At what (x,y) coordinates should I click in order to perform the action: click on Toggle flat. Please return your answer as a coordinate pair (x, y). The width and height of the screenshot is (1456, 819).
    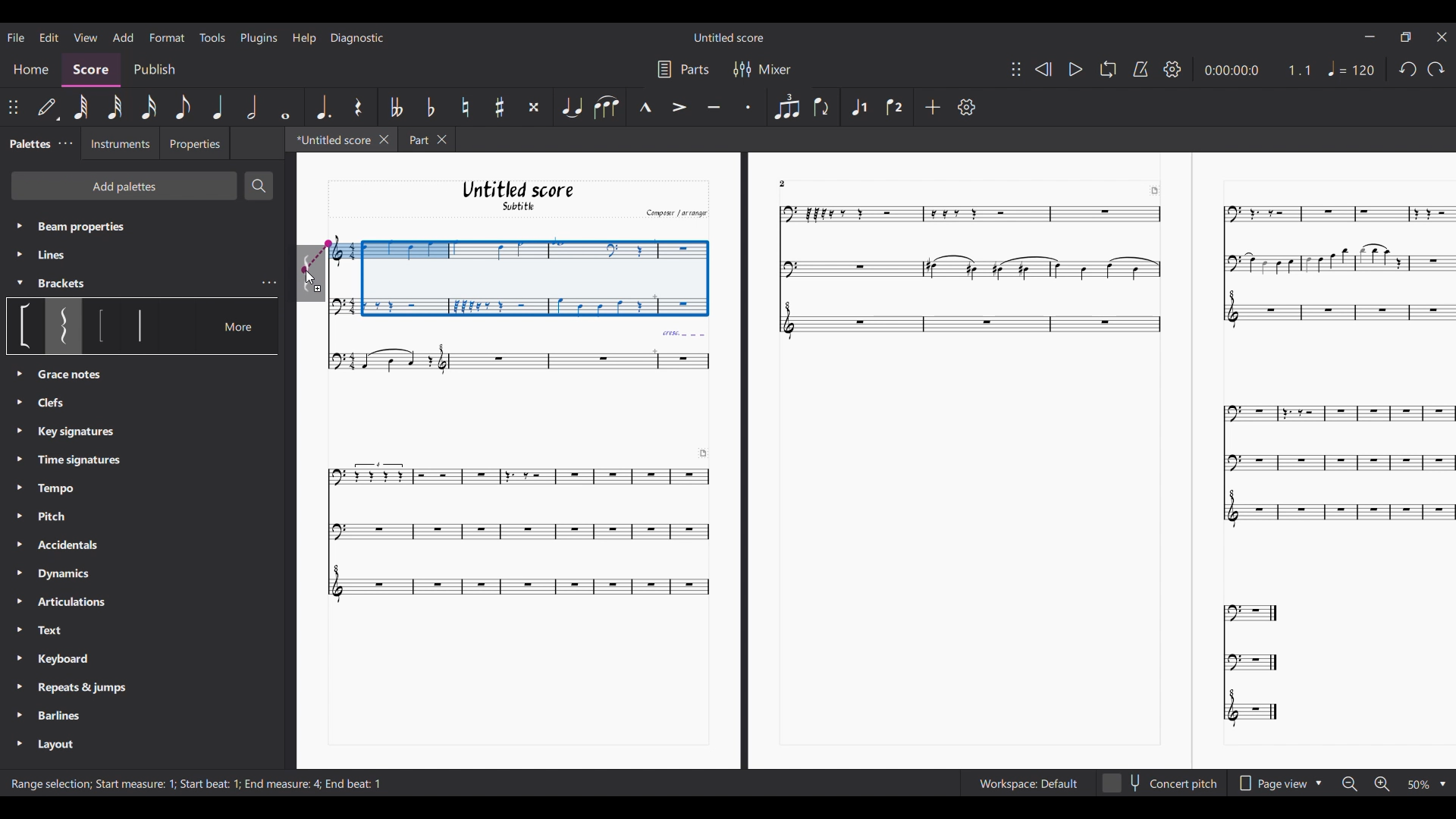
    Looking at the image, I should click on (430, 107).